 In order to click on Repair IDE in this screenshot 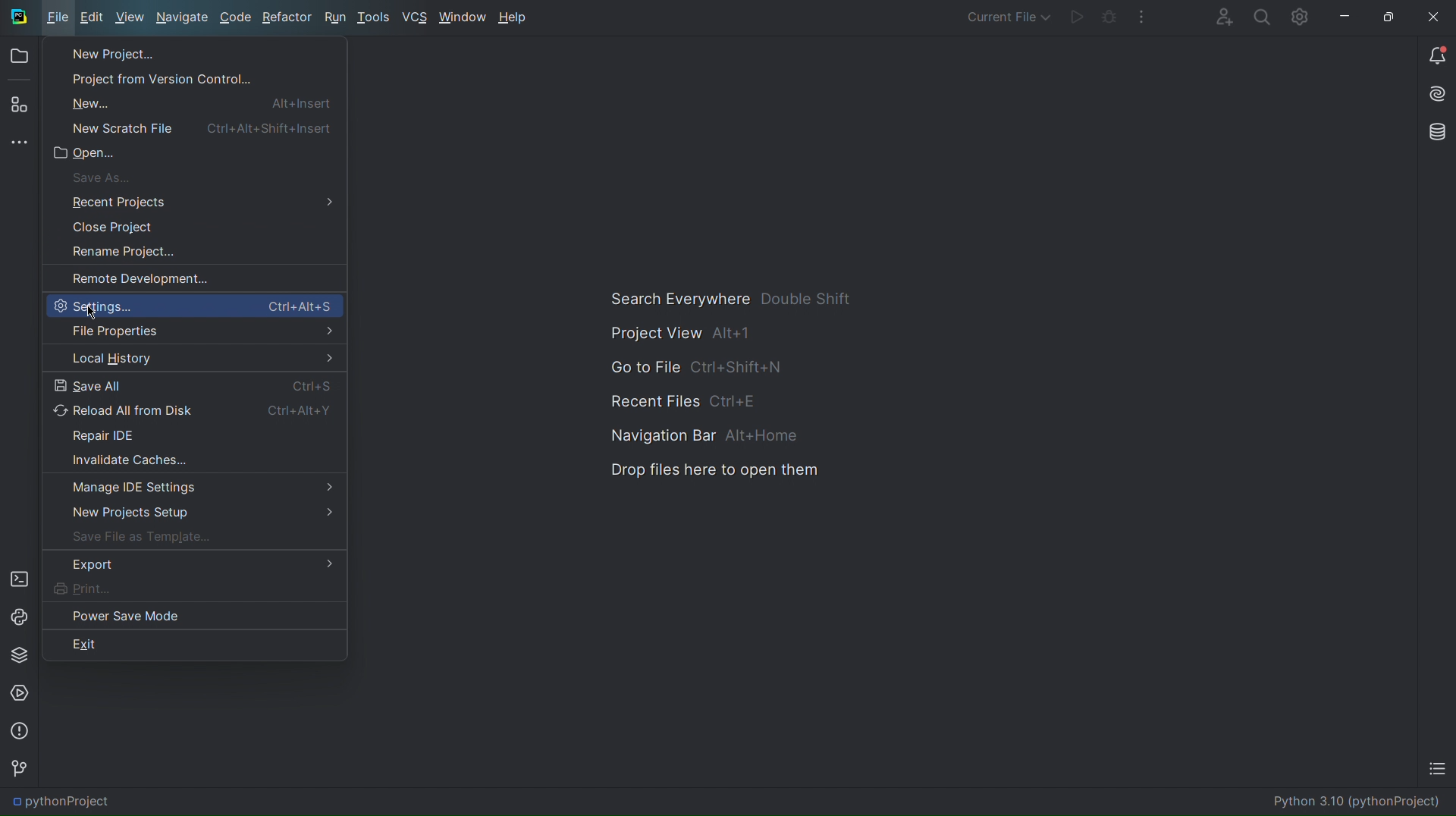, I will do `click(193, 435)`.